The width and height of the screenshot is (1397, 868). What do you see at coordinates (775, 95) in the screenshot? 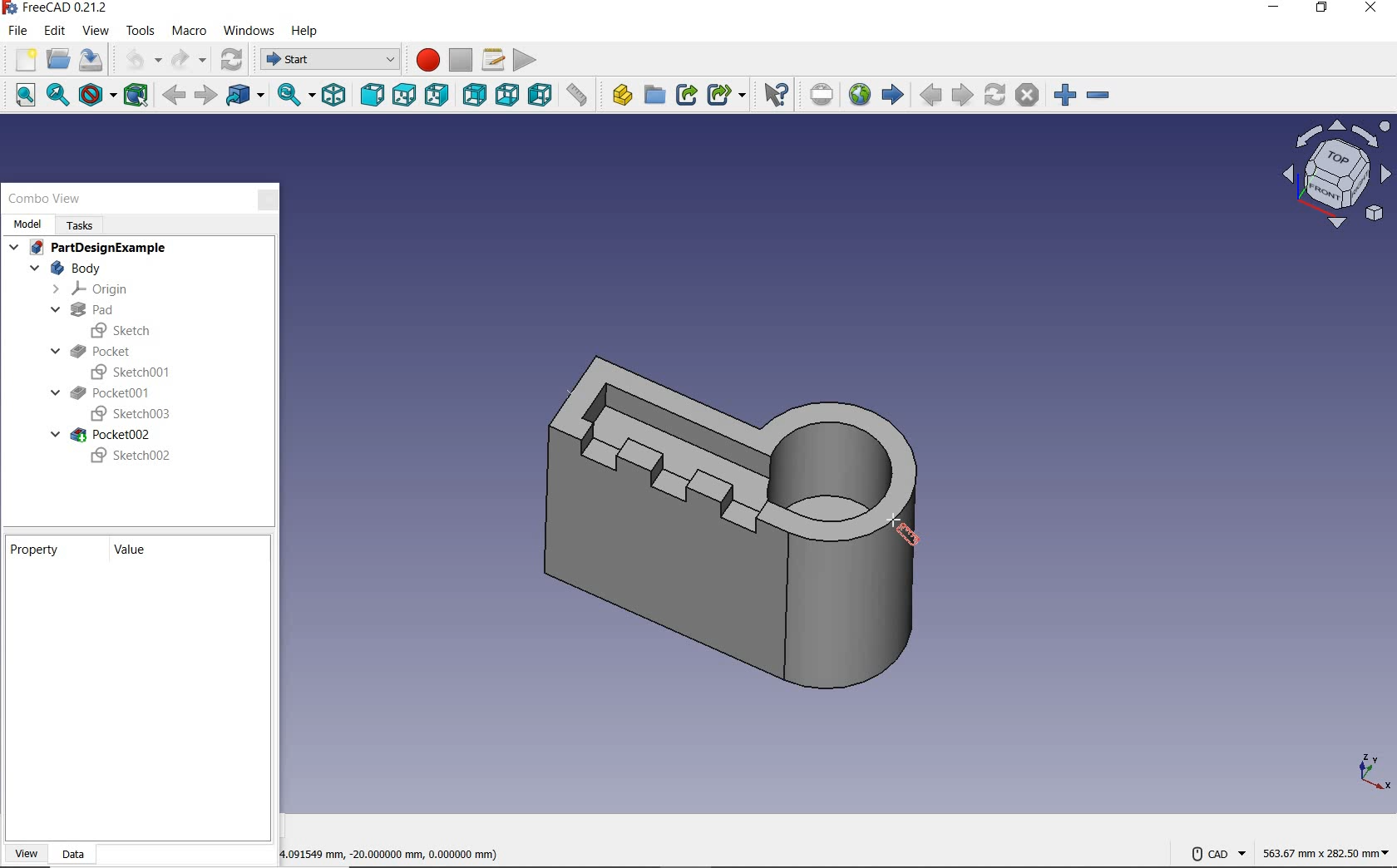
I see `What's this?` at bounding box center [775, 95].